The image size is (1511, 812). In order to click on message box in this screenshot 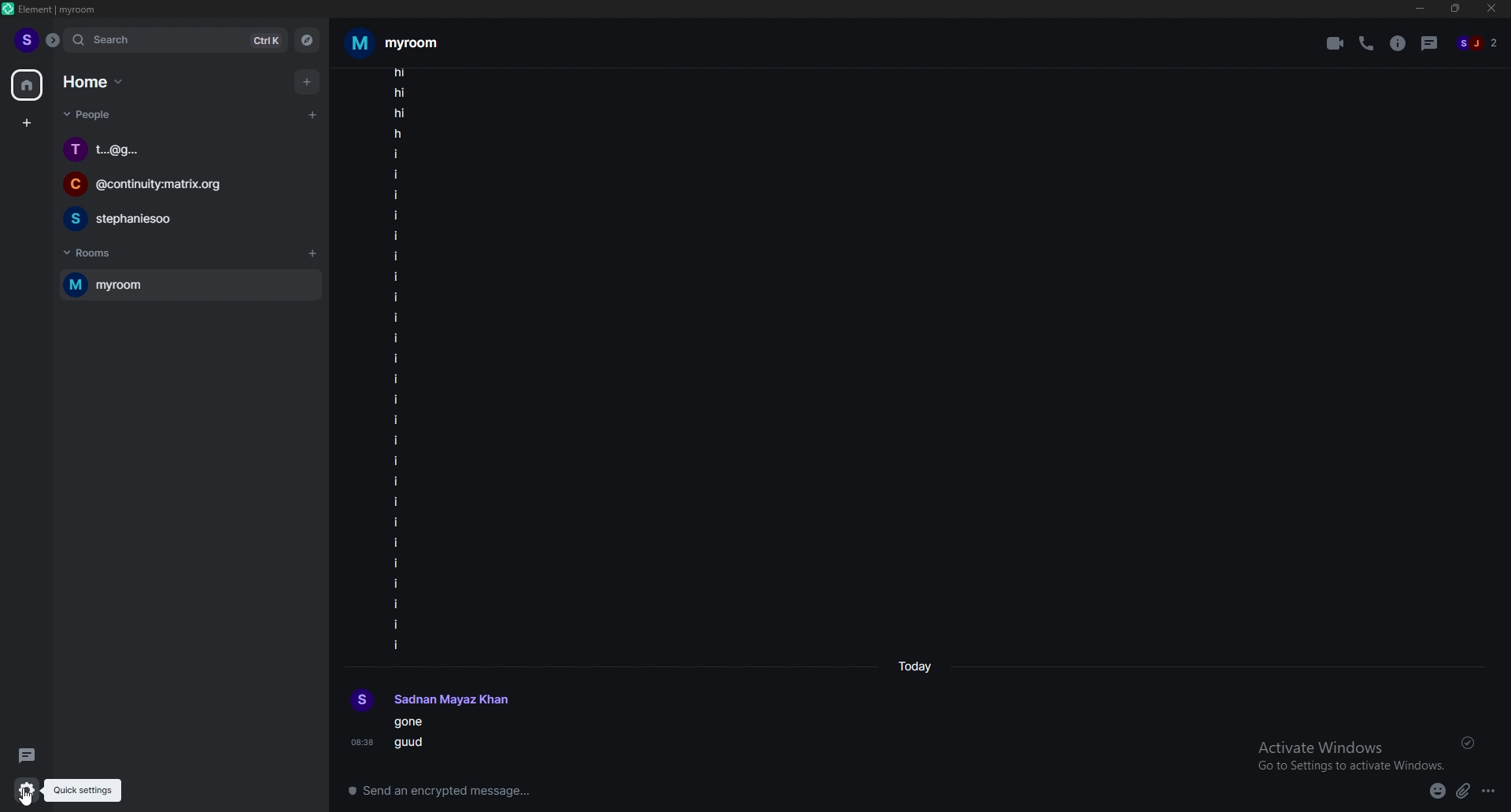, I will do `click(860, 795)`.